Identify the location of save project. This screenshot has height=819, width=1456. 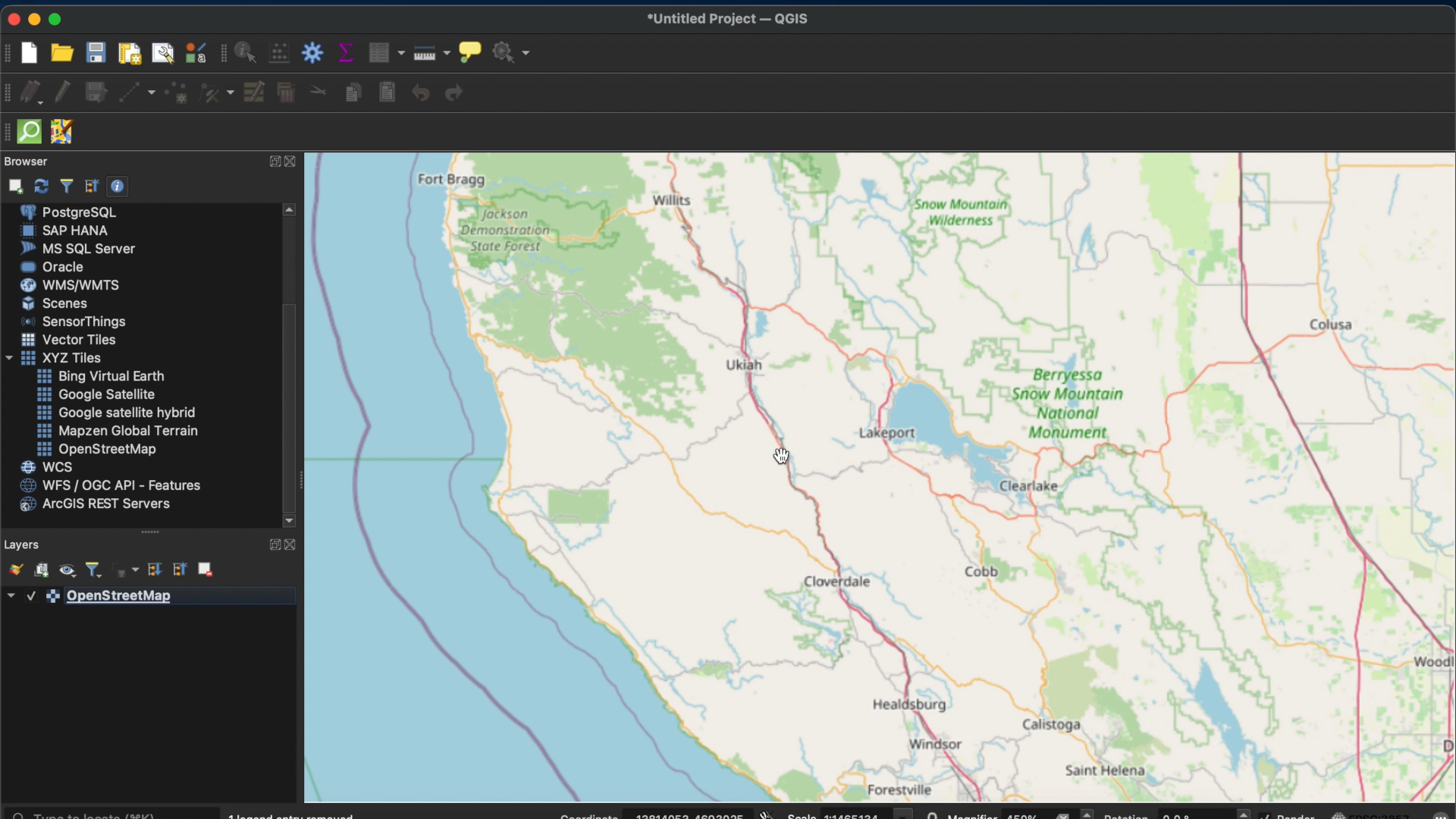
(96, 54).